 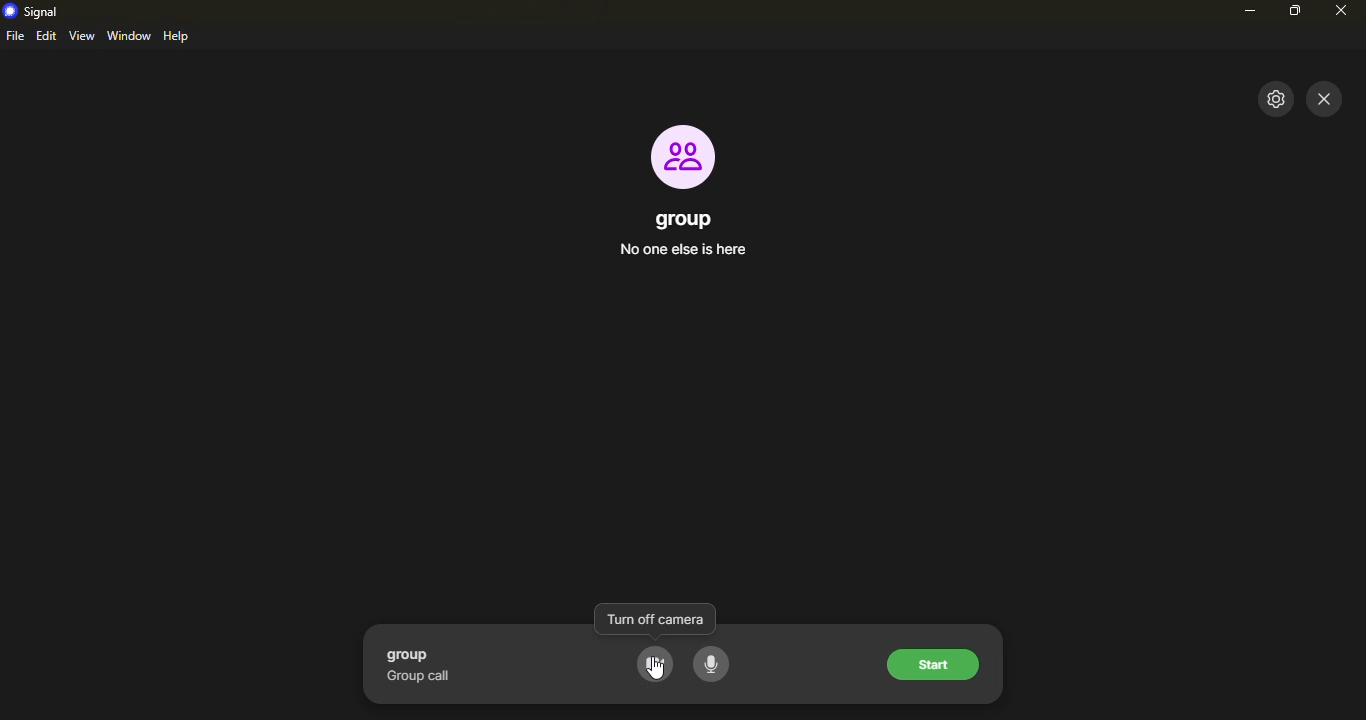 What do you see at coordinates (179, 36) in the screenshot?
I see `help` at bounding box center [179, 36].